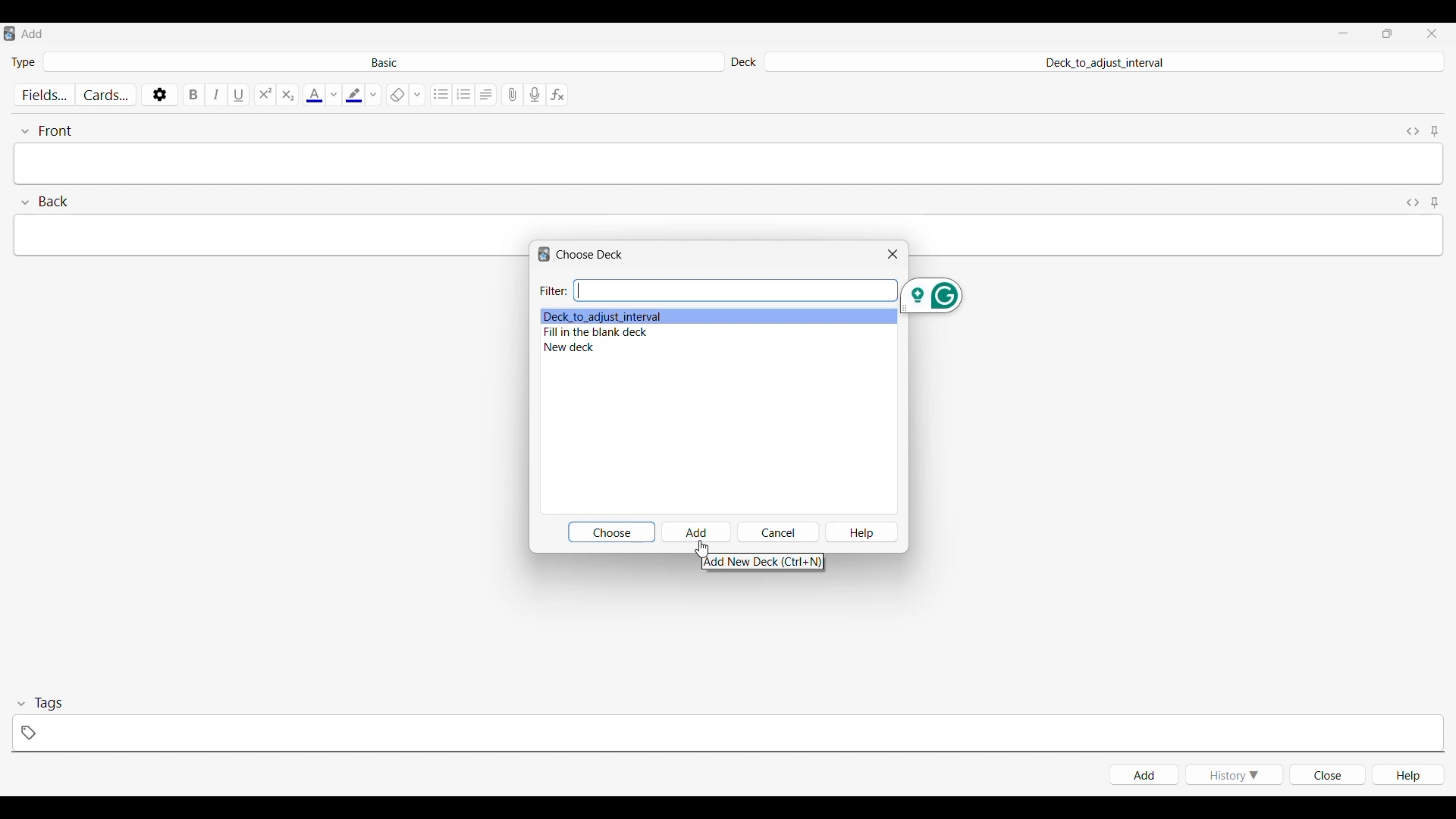  What do you see at coordinates (764, 563) in the screenshot?
I see `Description of current selection` at bounding box center [764, 563].